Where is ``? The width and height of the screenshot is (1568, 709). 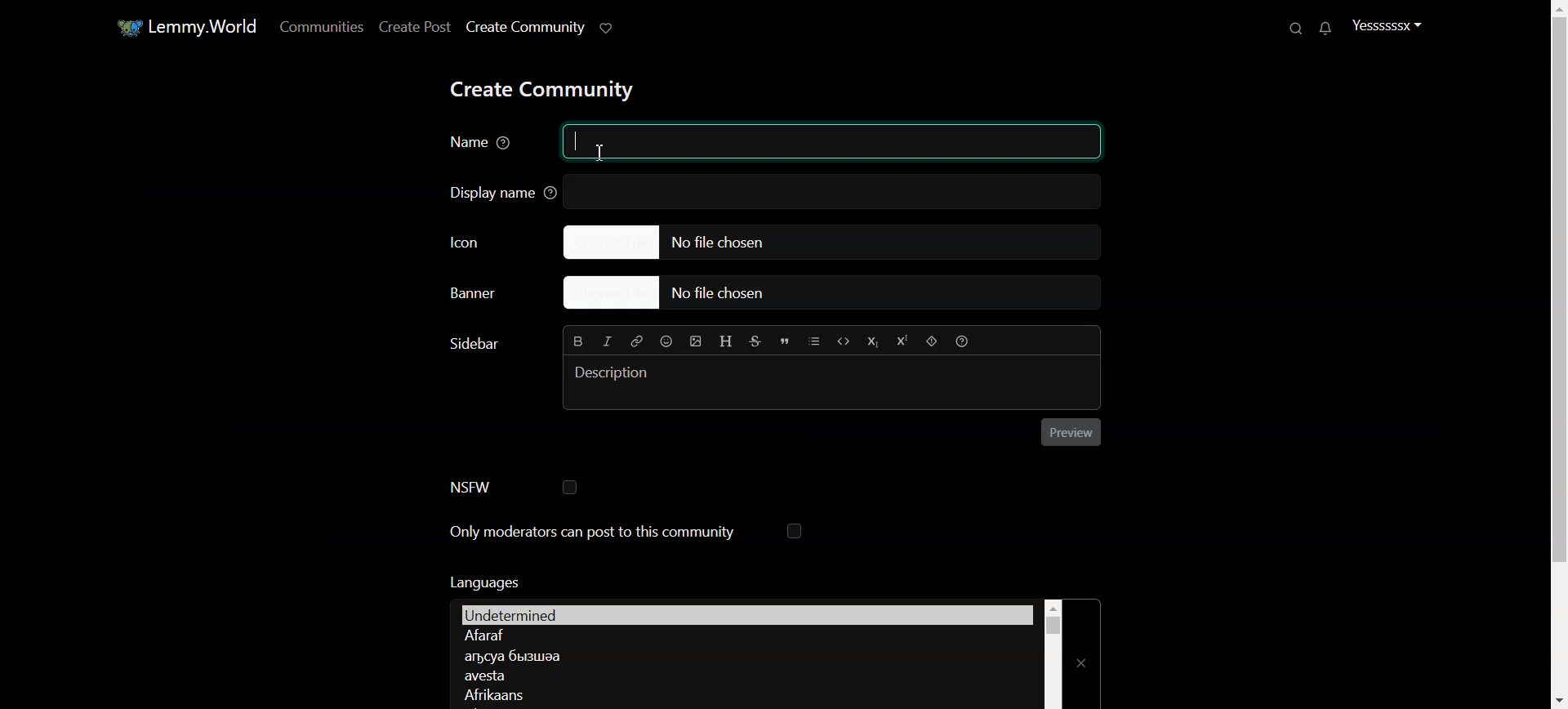
 is located at coordinates (544, 91).